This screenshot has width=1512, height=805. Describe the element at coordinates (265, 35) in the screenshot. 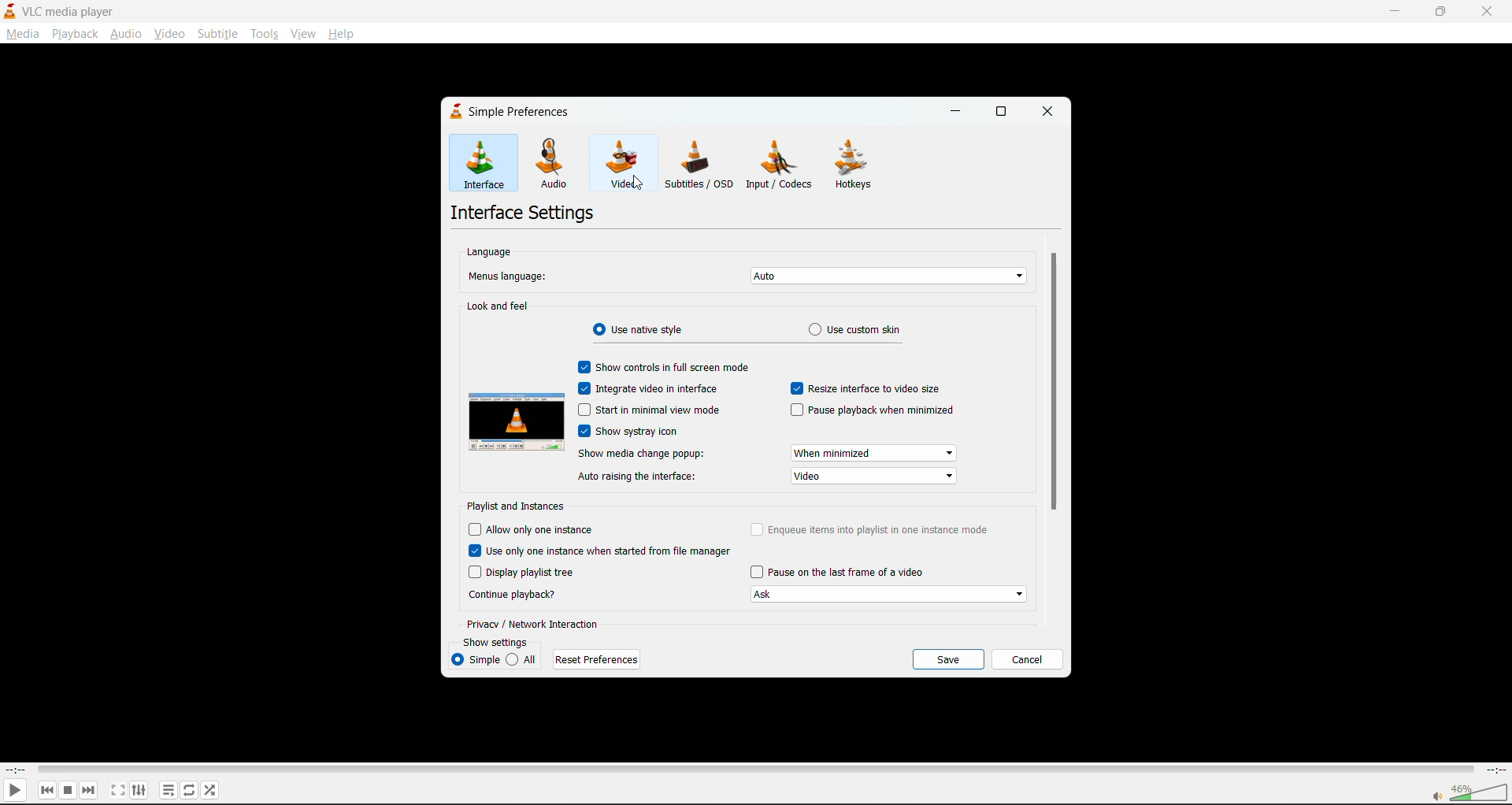

I see `tools` at that location.